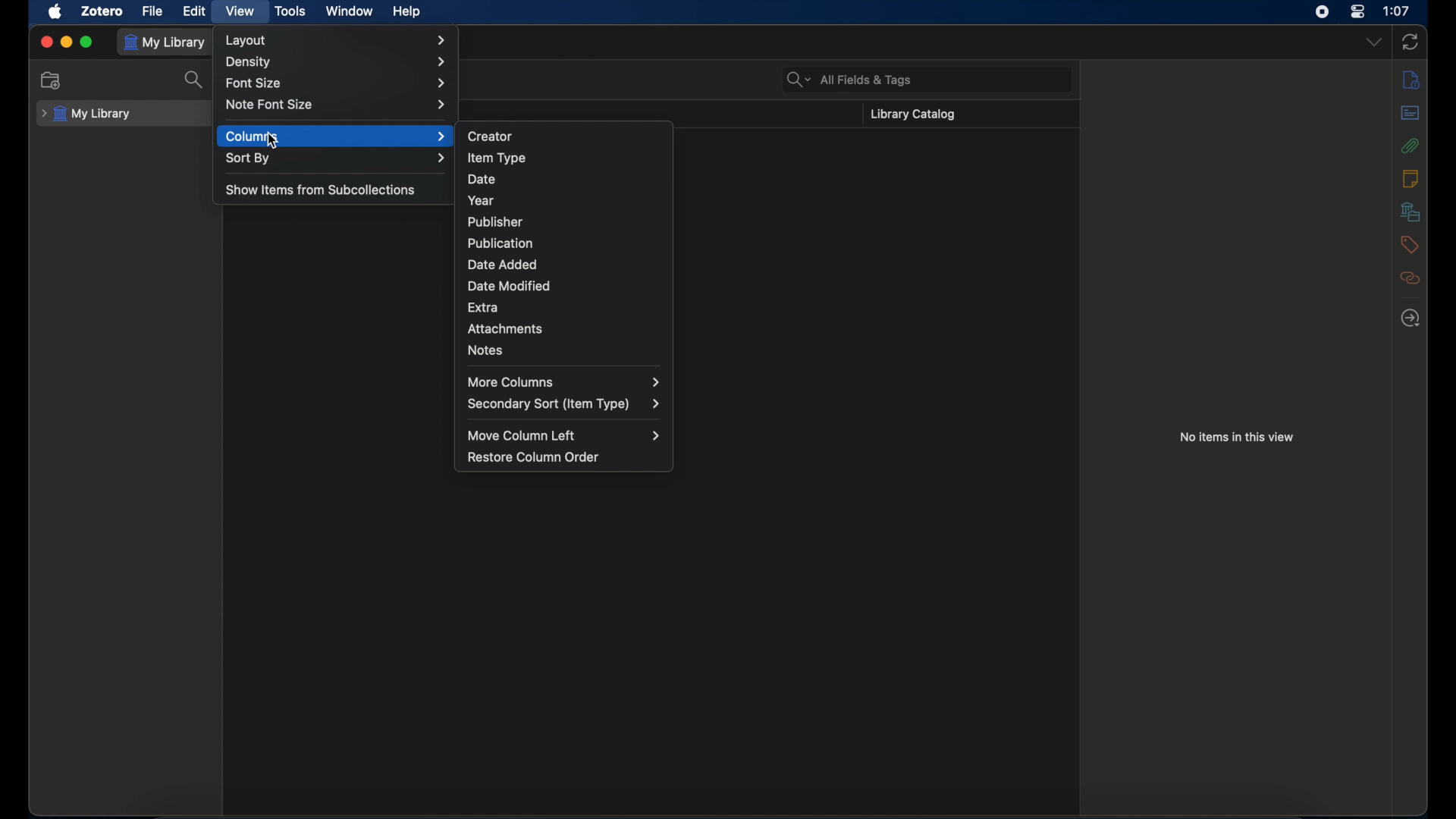 The image size is (1456, 819). Describe the element at coordinates (564, 435) in the screenshot. I see `move column left` at that location.